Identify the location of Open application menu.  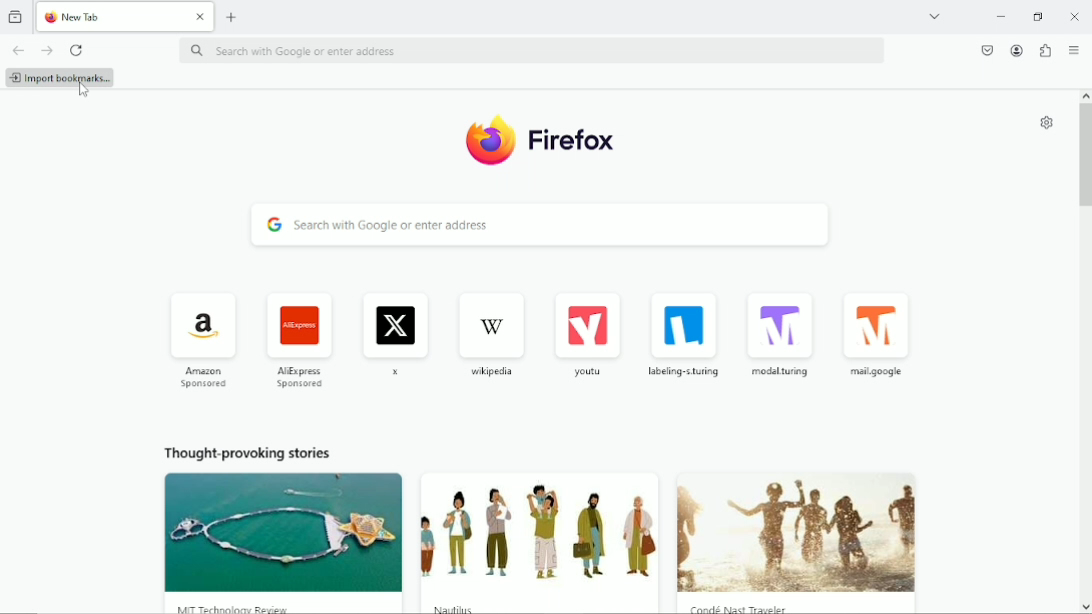
(1076, 50).